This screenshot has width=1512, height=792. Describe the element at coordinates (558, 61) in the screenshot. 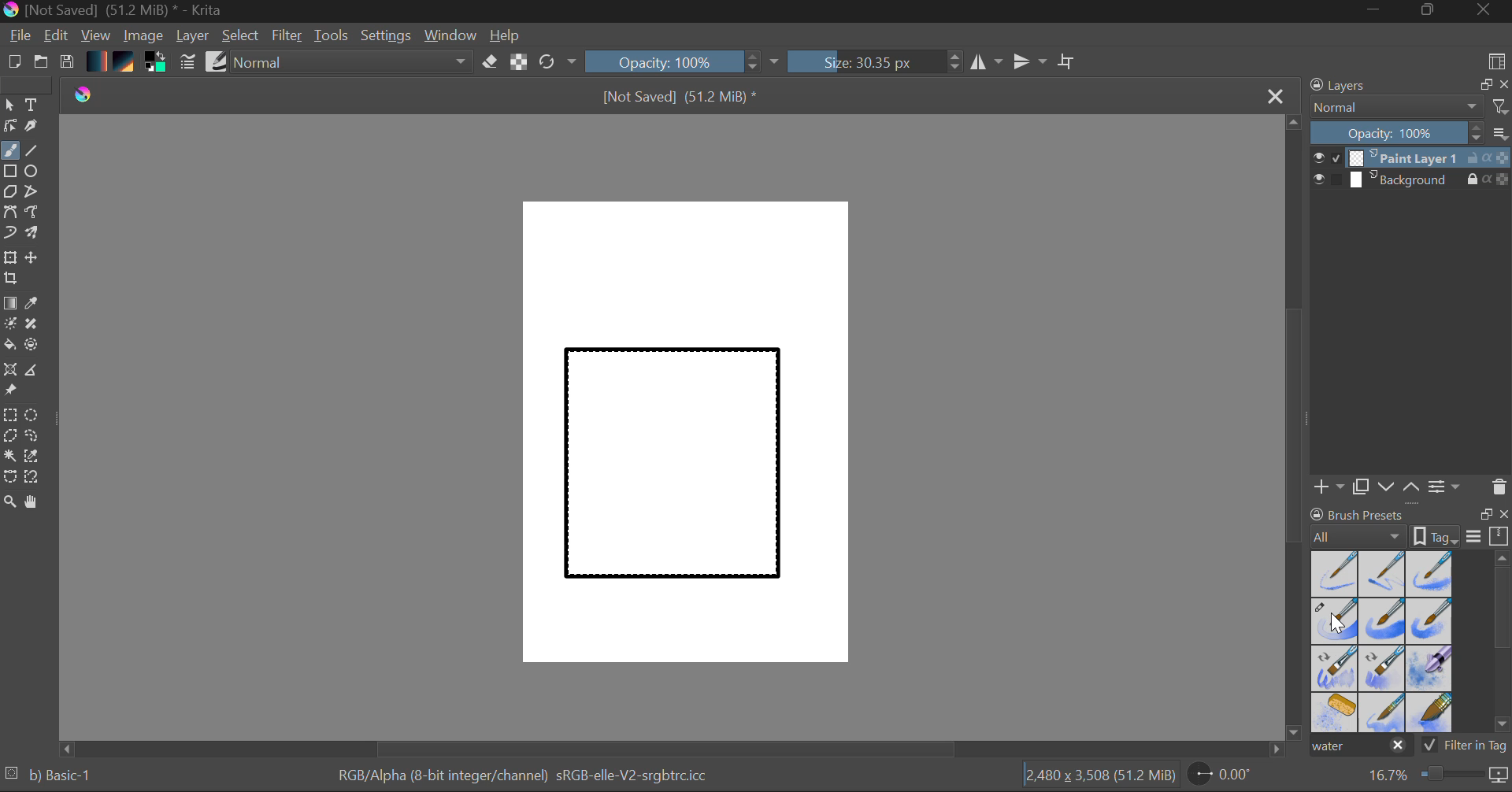

I see `Refresh` at that location.